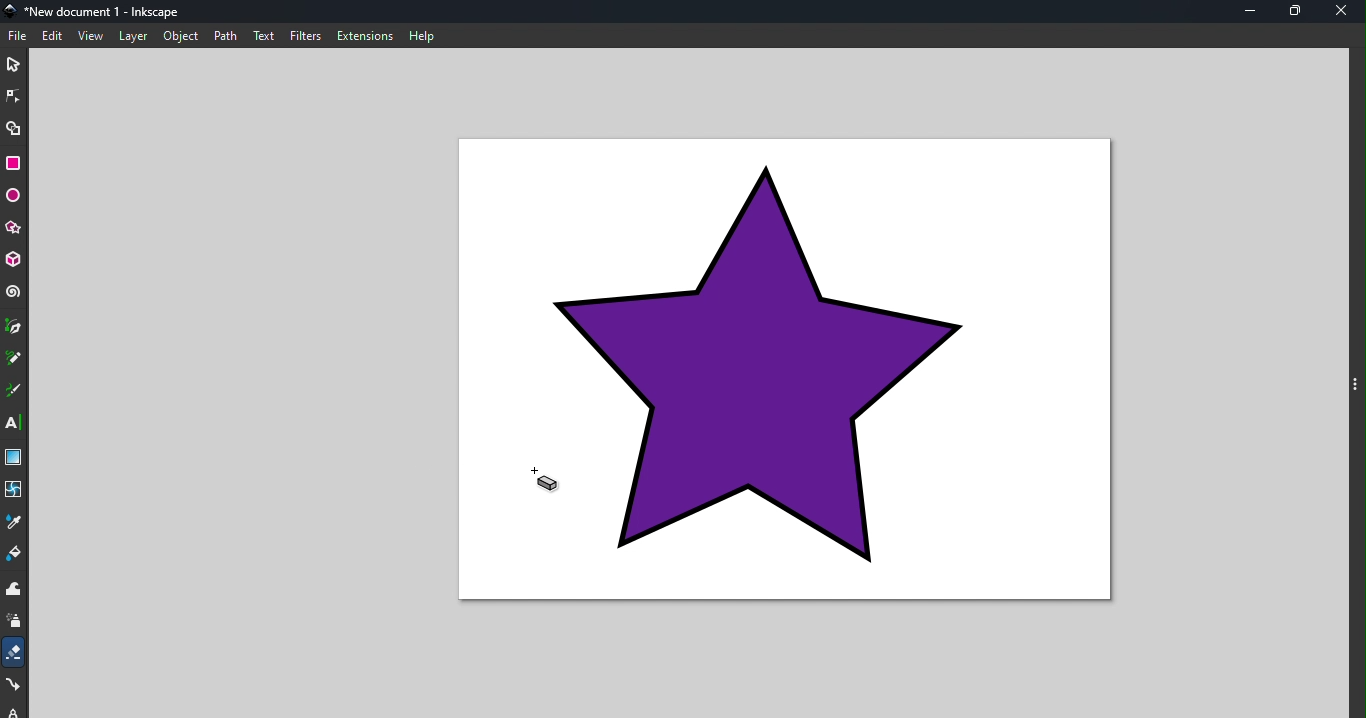 The width and height of the screenshot is (1366, 718). Describe the element at coordinates (15, 95) in the screenshot. I see `node tool` at that location.